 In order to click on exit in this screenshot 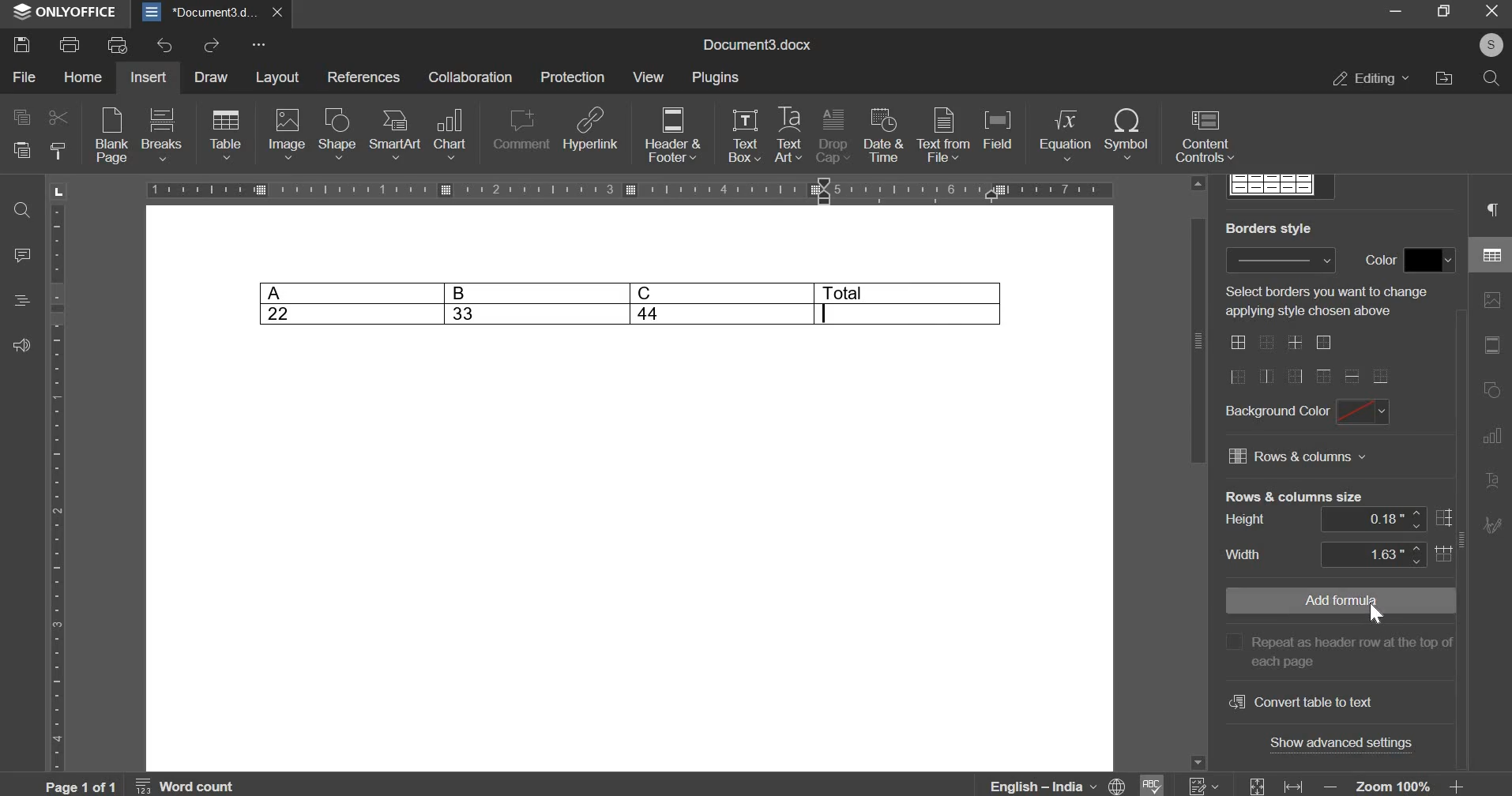, I will do `click(1492, 13)`.